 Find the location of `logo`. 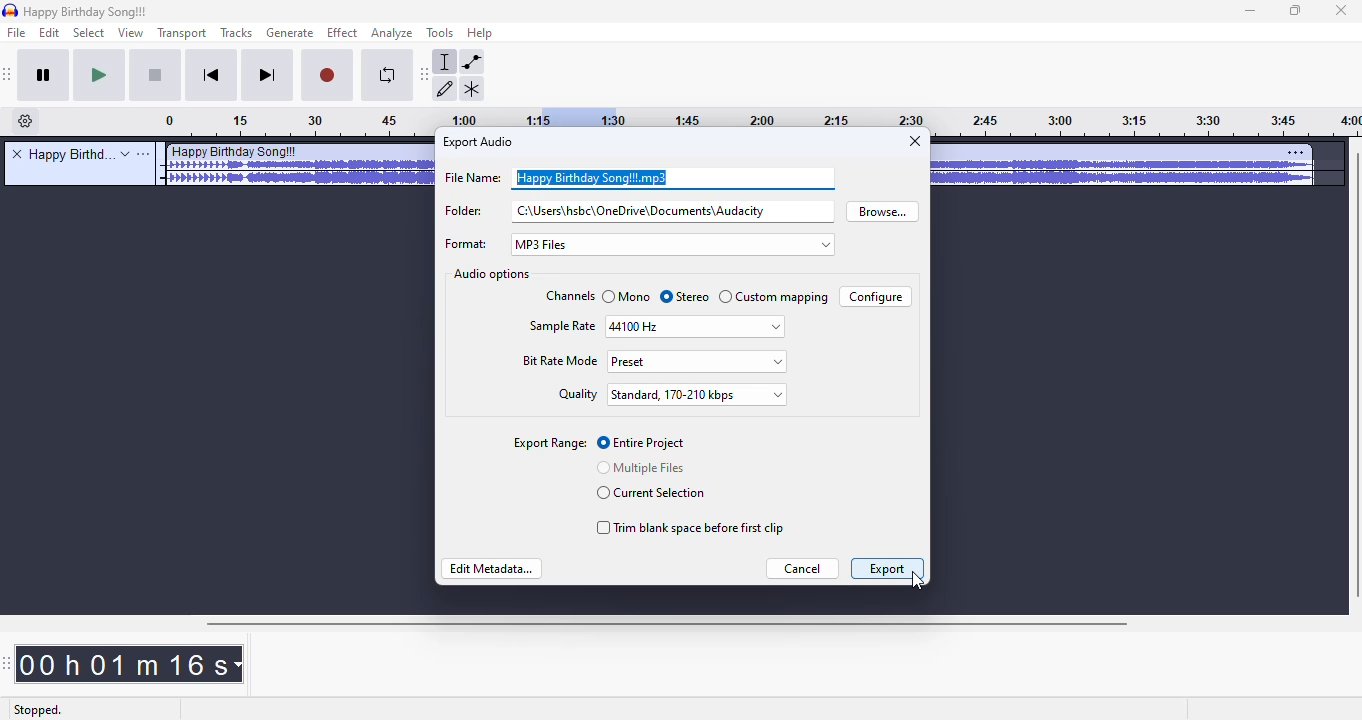

logo is located at coordinates (10, 10).